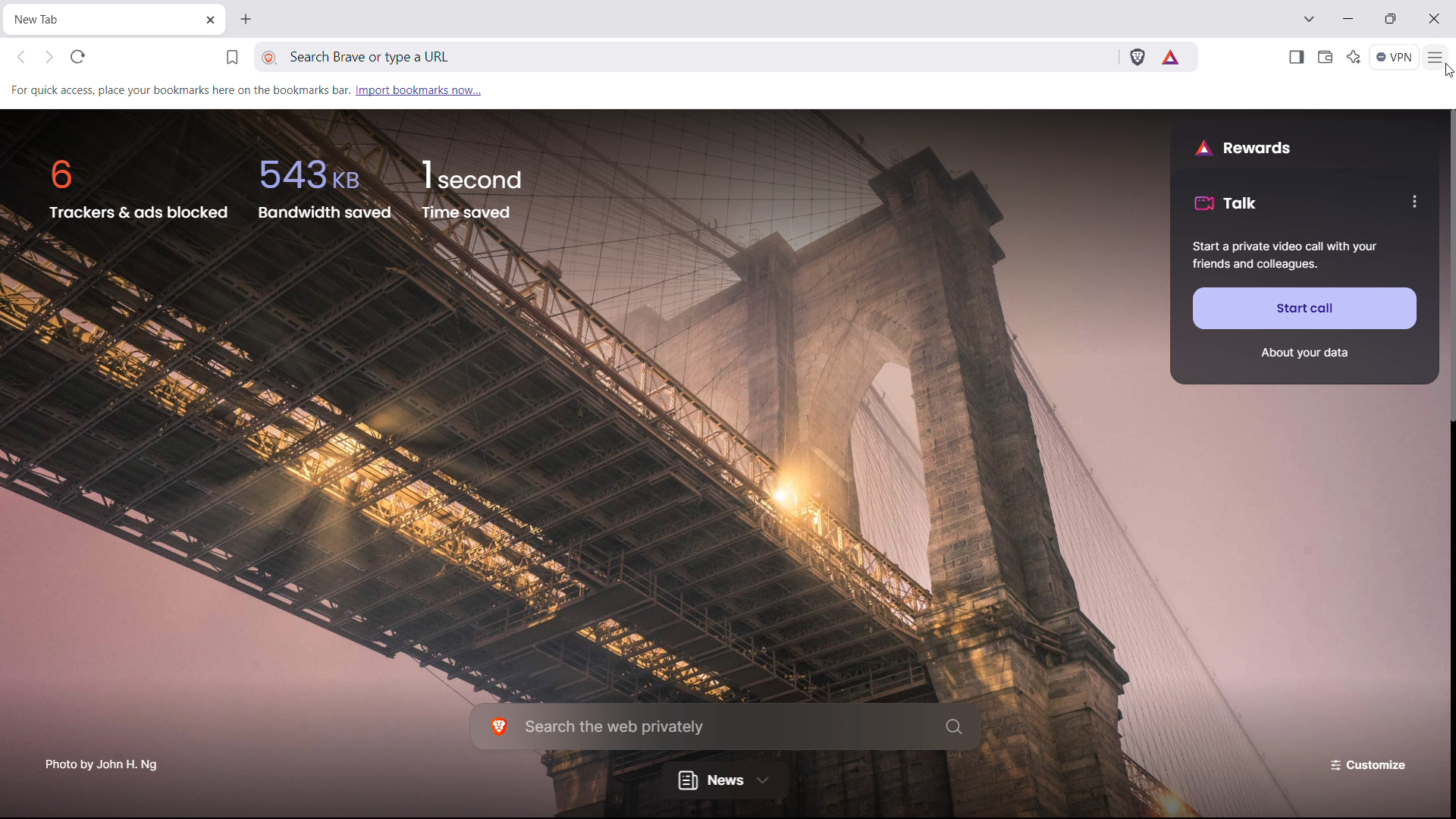 This screenshot has width=1456, height=819. I want to click on 543kb, so click(309, 174).